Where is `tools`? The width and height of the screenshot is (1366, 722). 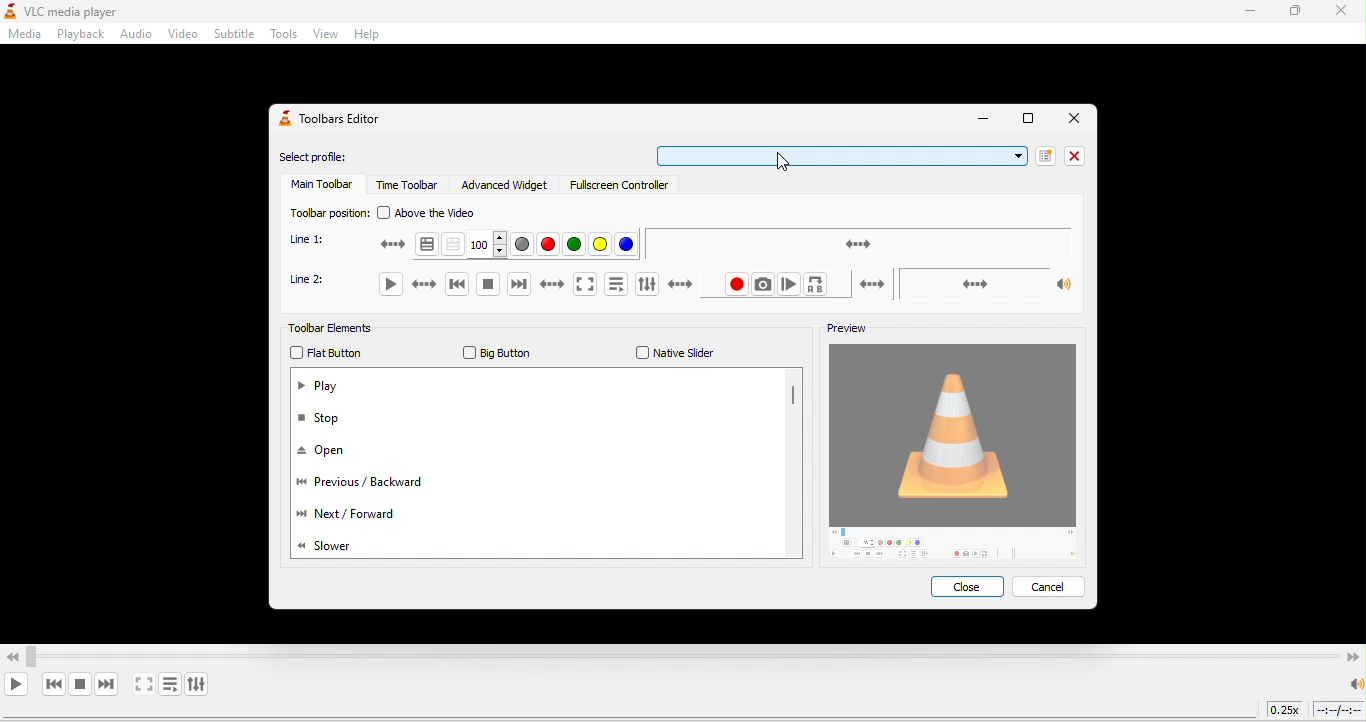 tools is located at coordinates (283, 36).